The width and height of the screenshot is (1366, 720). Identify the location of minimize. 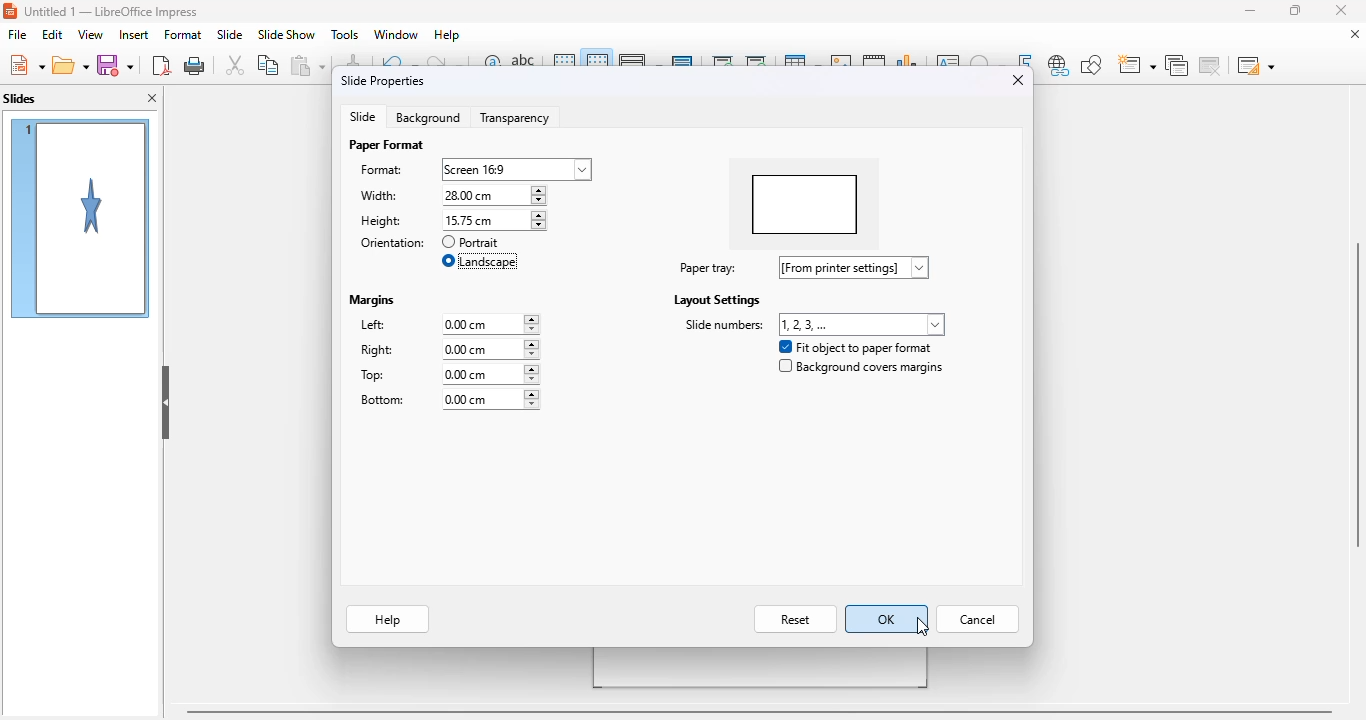
(1250, 11).